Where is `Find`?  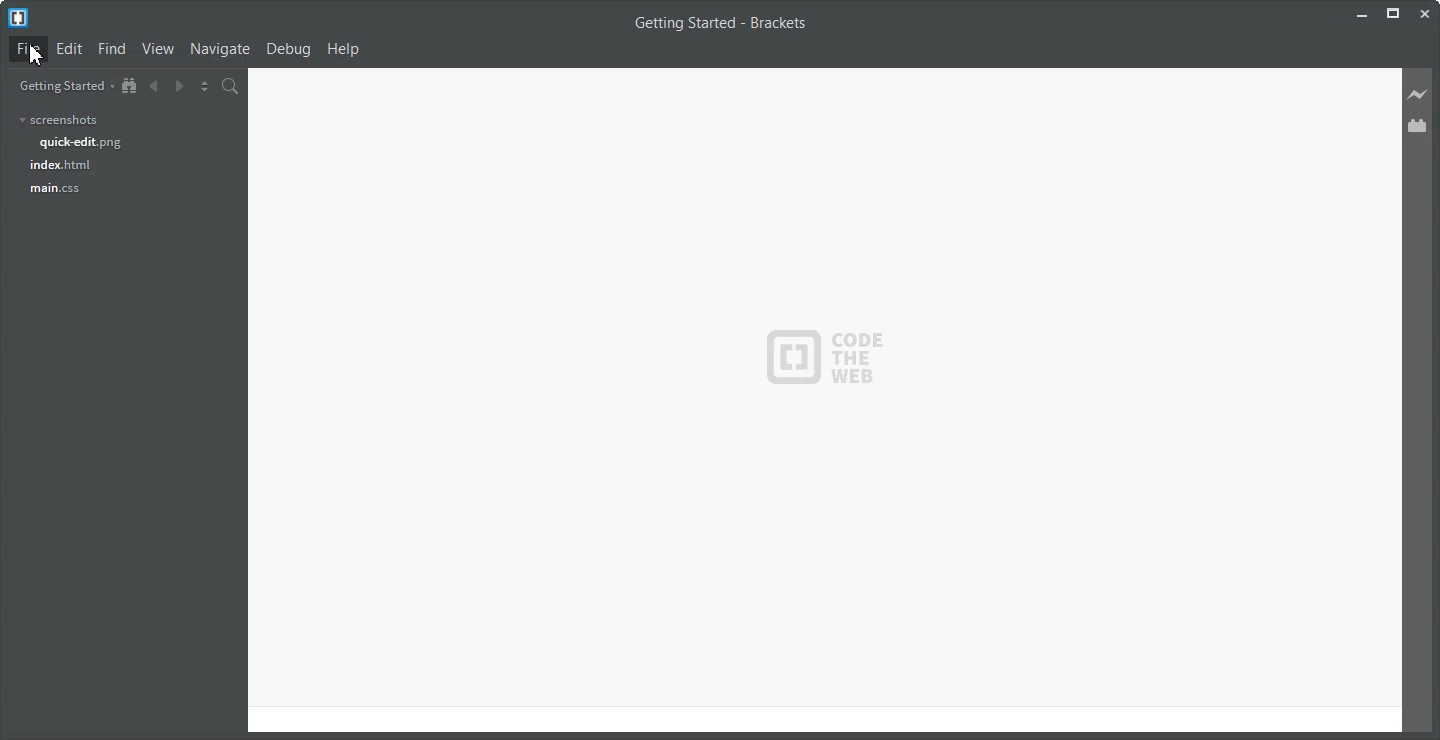
Find is located at coordinates (112, 49).